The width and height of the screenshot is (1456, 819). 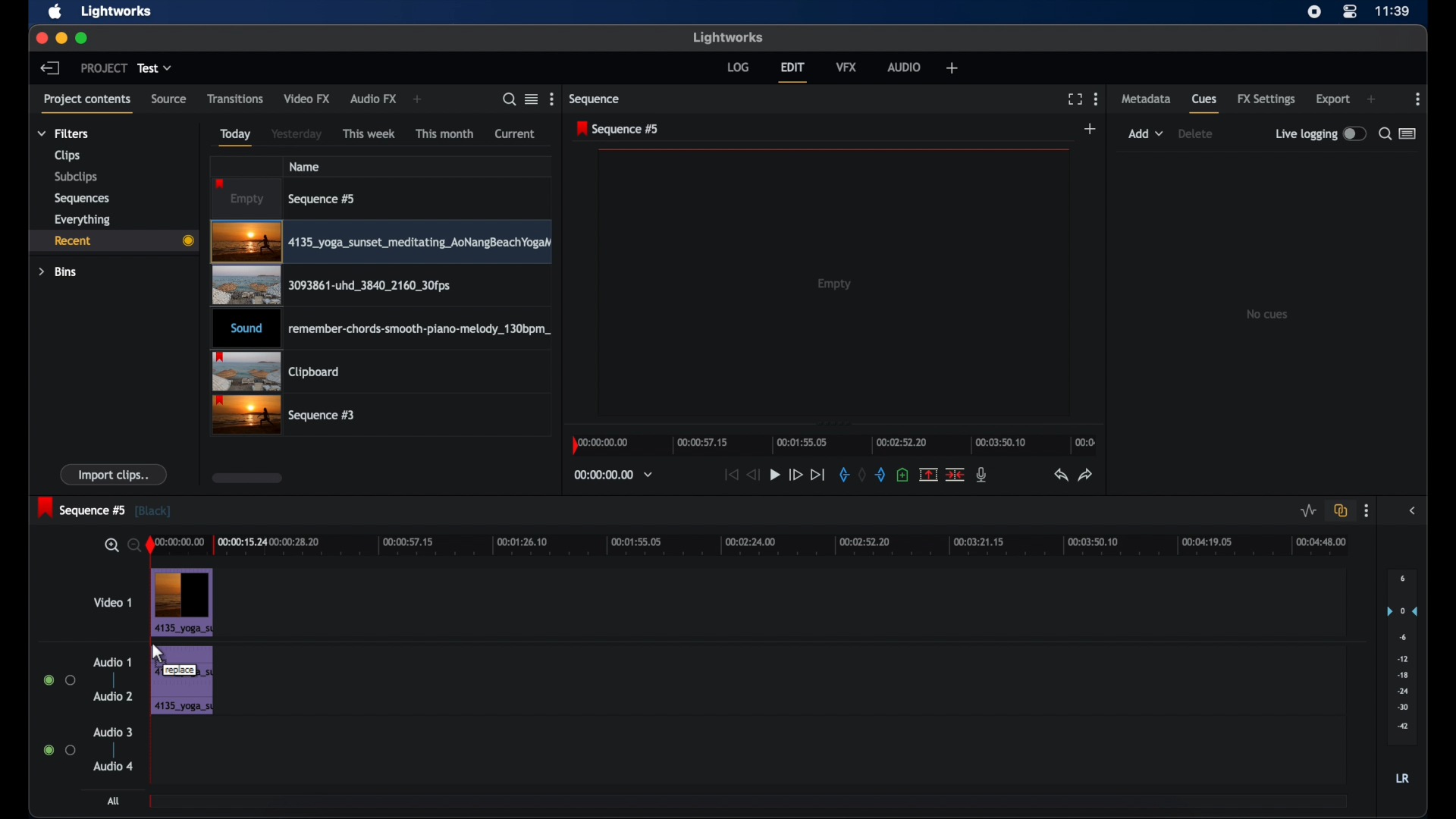 I want to click on audio clip, so click(x=379, y=329).